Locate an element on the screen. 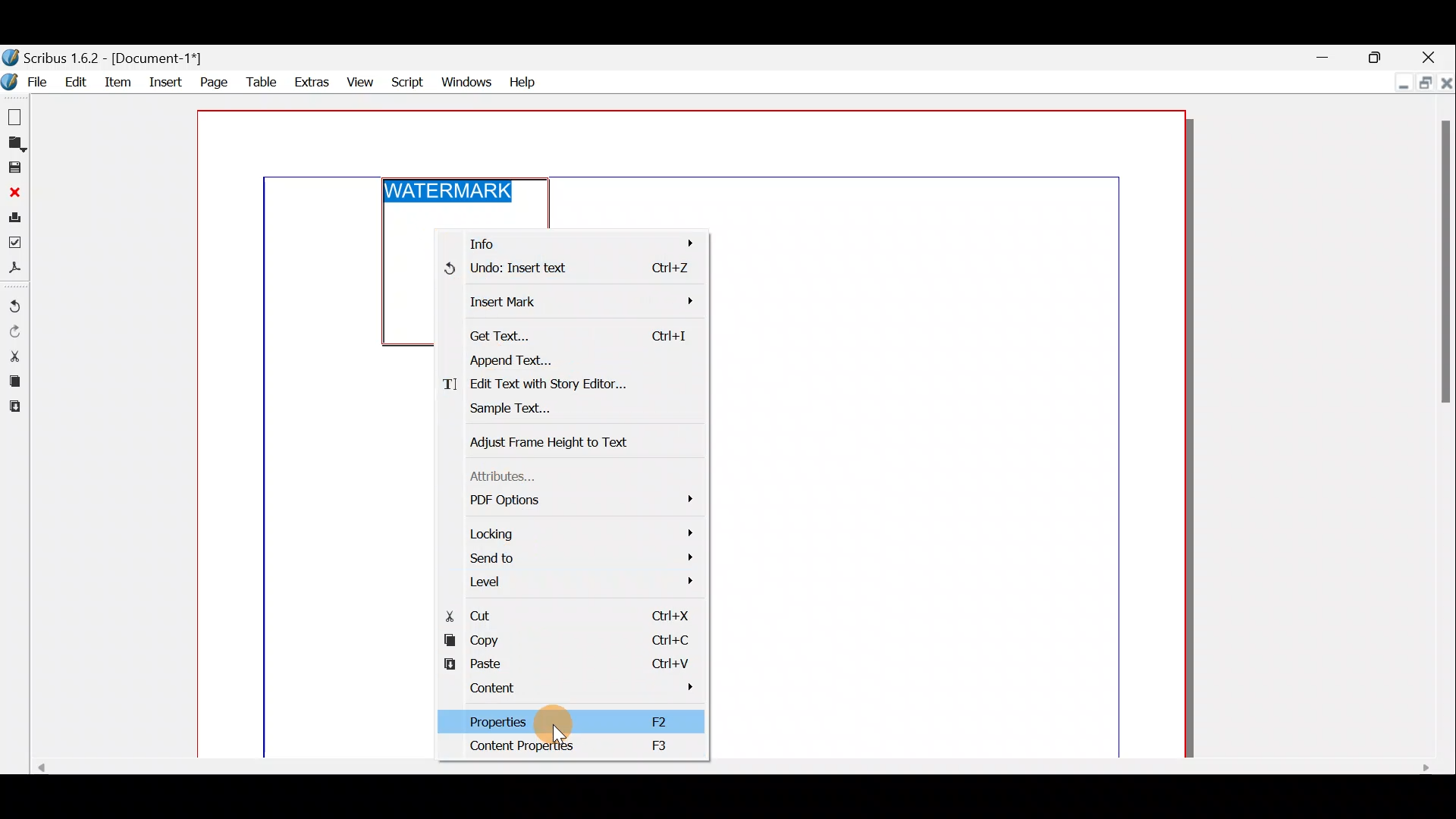 The image size is (1456, 819). Content Properties is located at coordinates (577, 747).